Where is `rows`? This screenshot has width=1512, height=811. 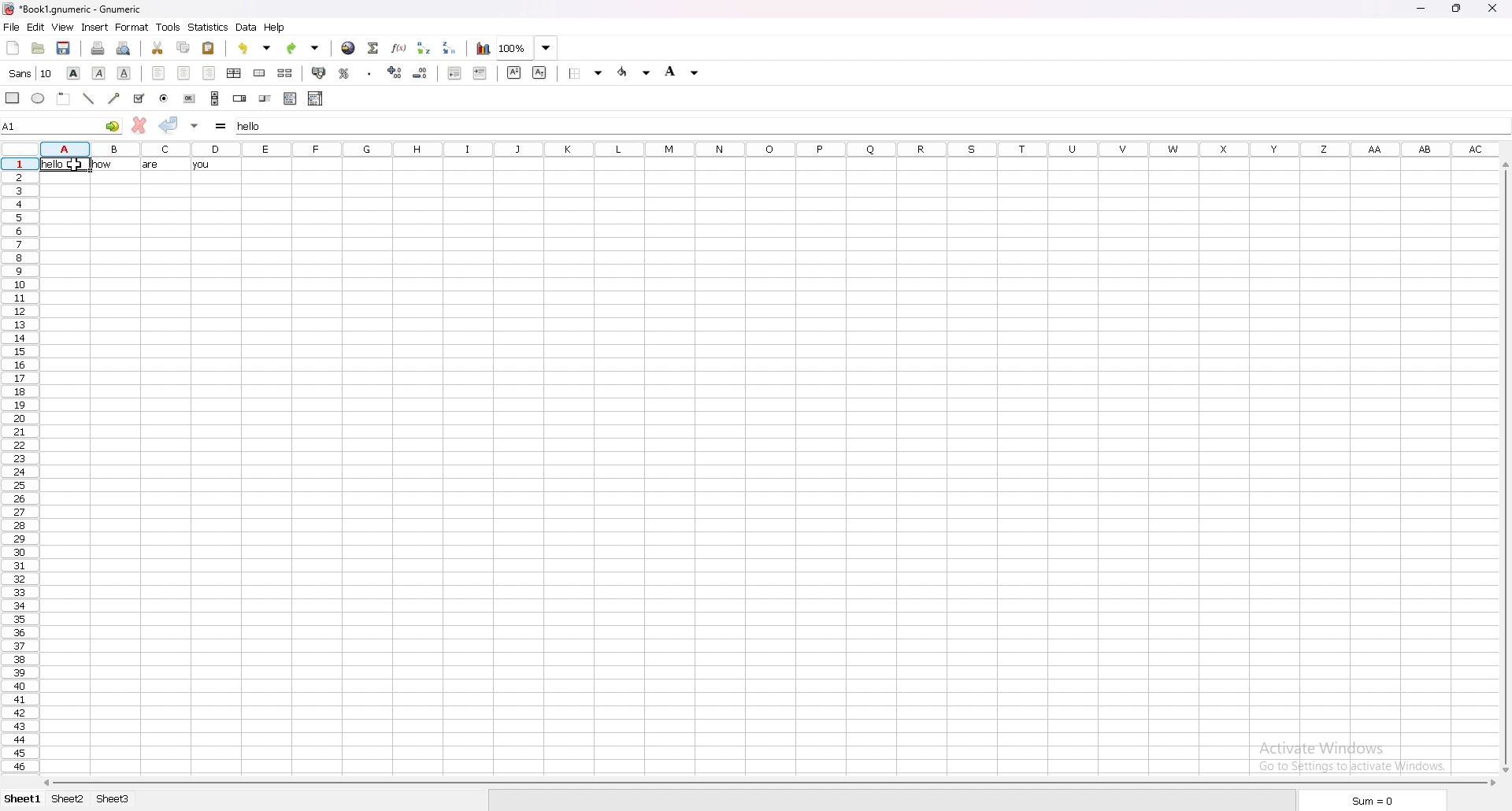 rows is located at coordinates (20, 465).